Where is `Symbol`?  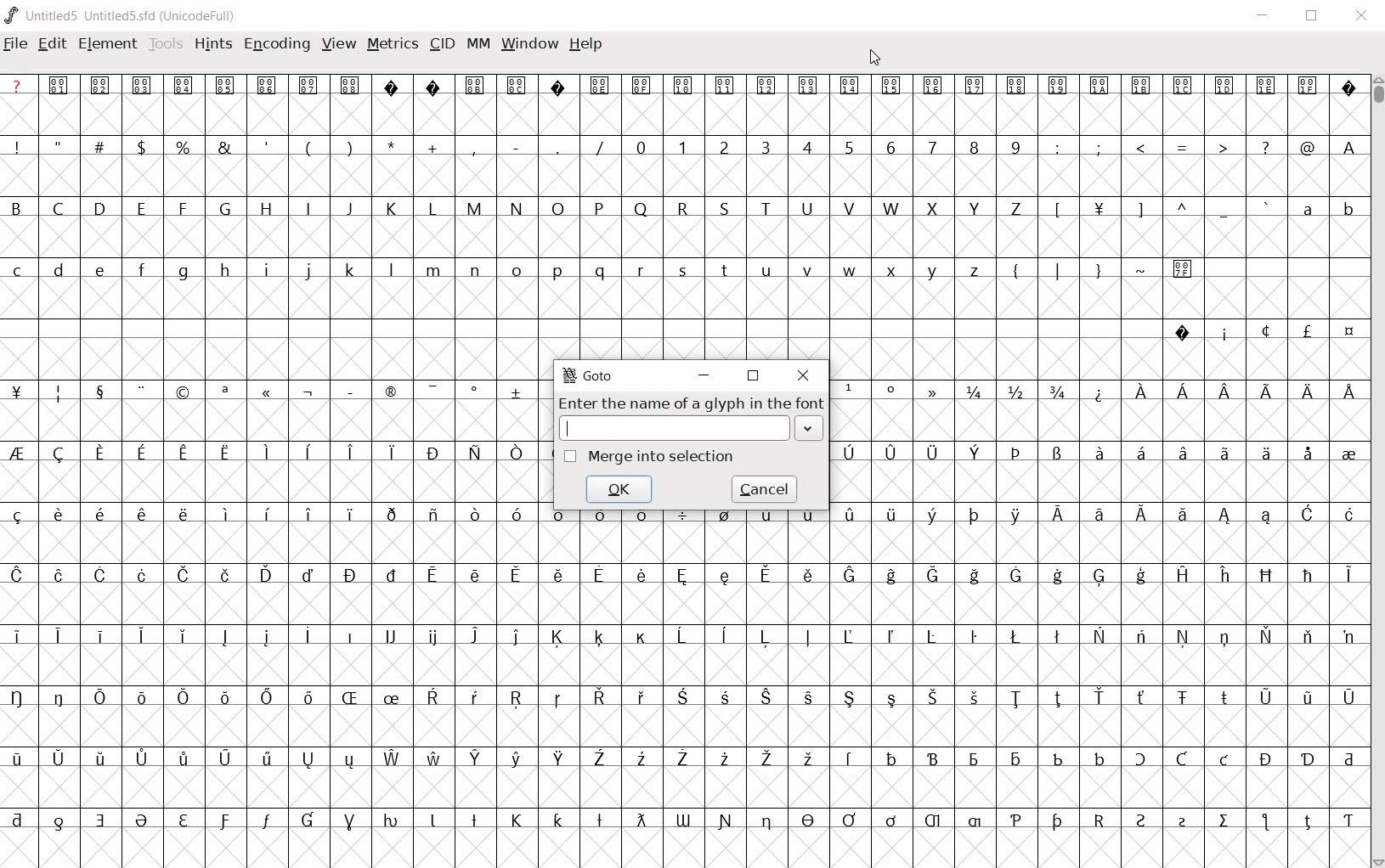 Symbol is located at coordinates (891, 699).